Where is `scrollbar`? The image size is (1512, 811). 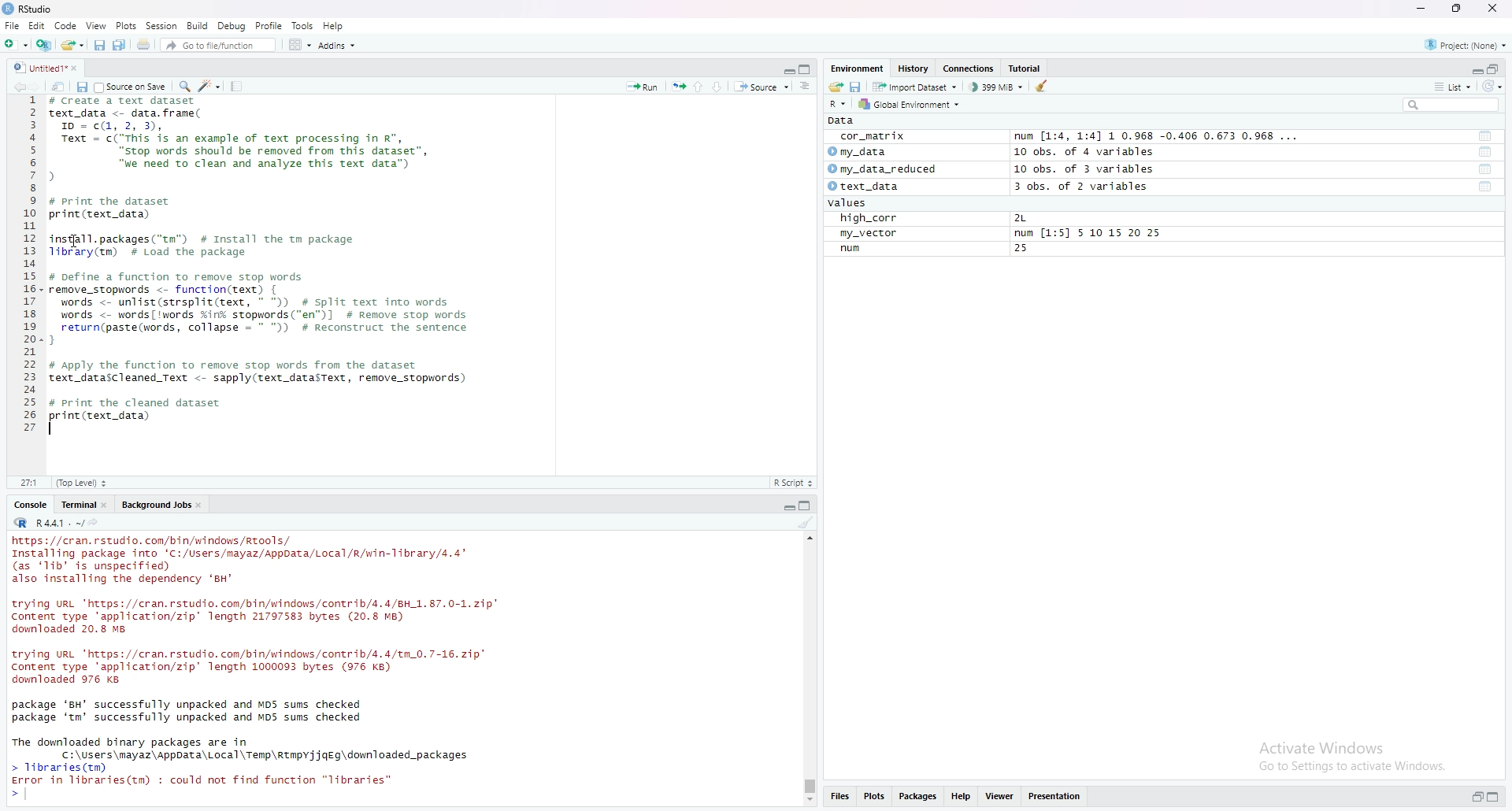
scrollbar is located at coordinates (807, 670).